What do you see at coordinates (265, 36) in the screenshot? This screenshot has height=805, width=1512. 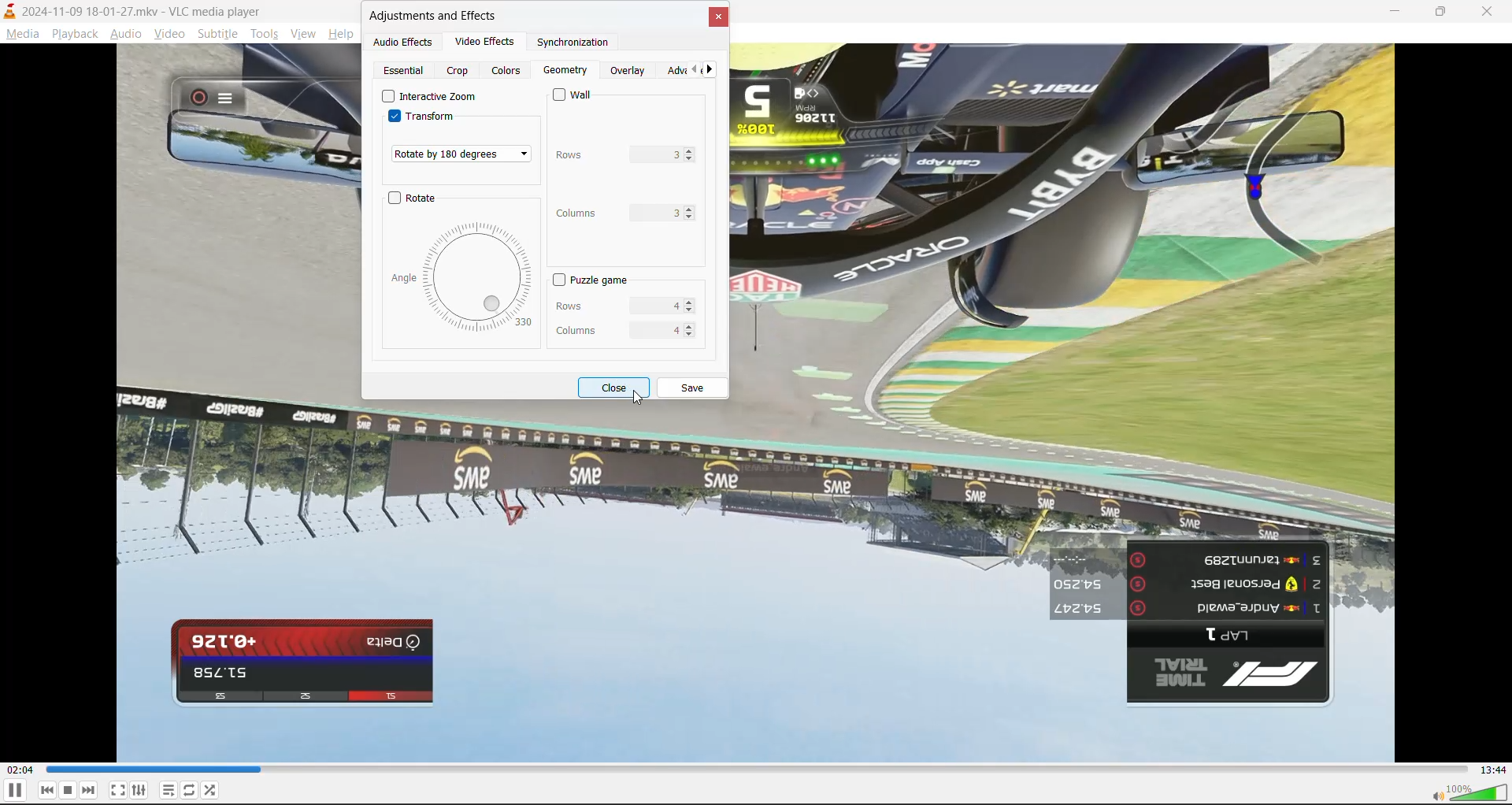 I see `tools` at bounding box center [265, 36].